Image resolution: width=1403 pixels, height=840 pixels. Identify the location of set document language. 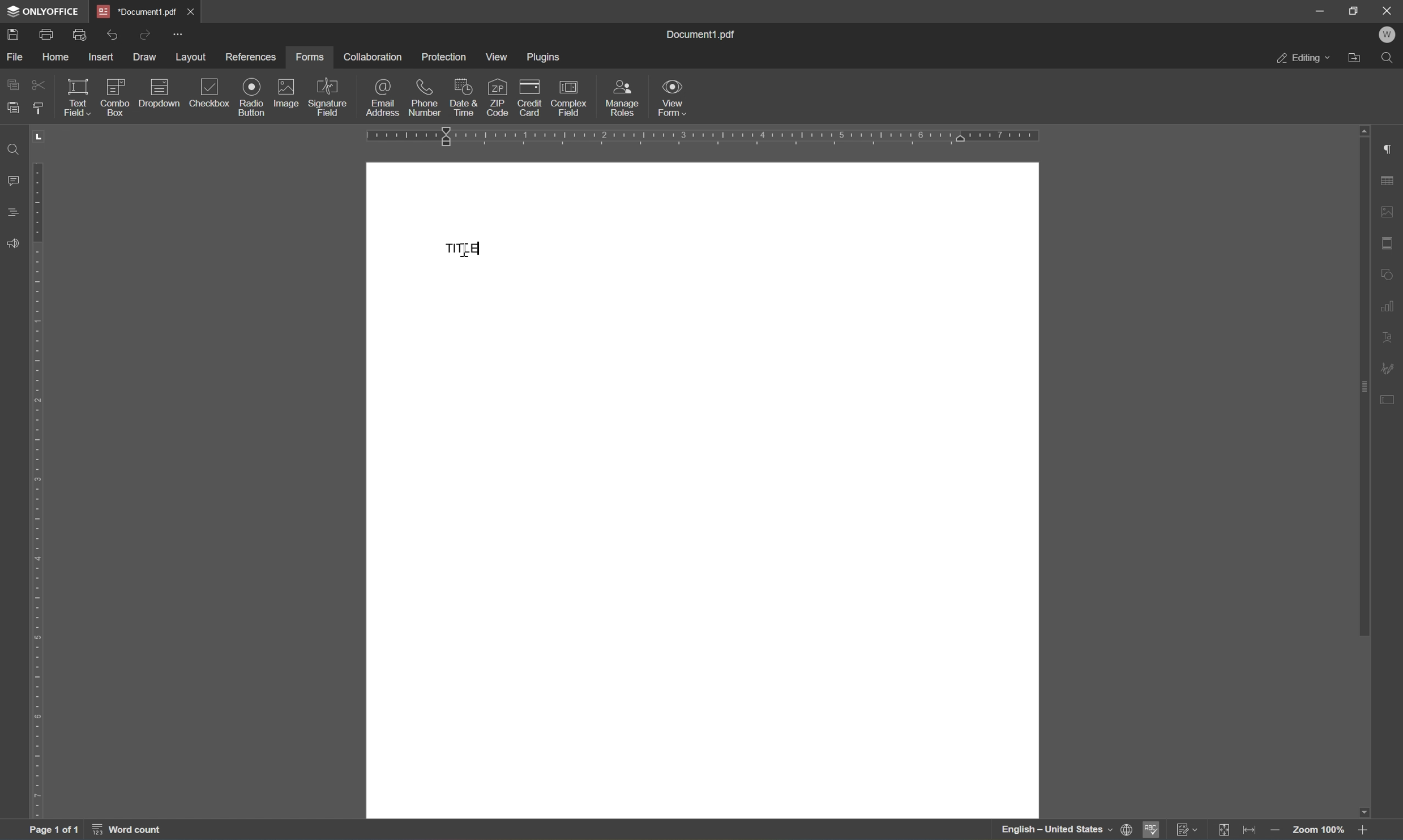
(1066, 831).